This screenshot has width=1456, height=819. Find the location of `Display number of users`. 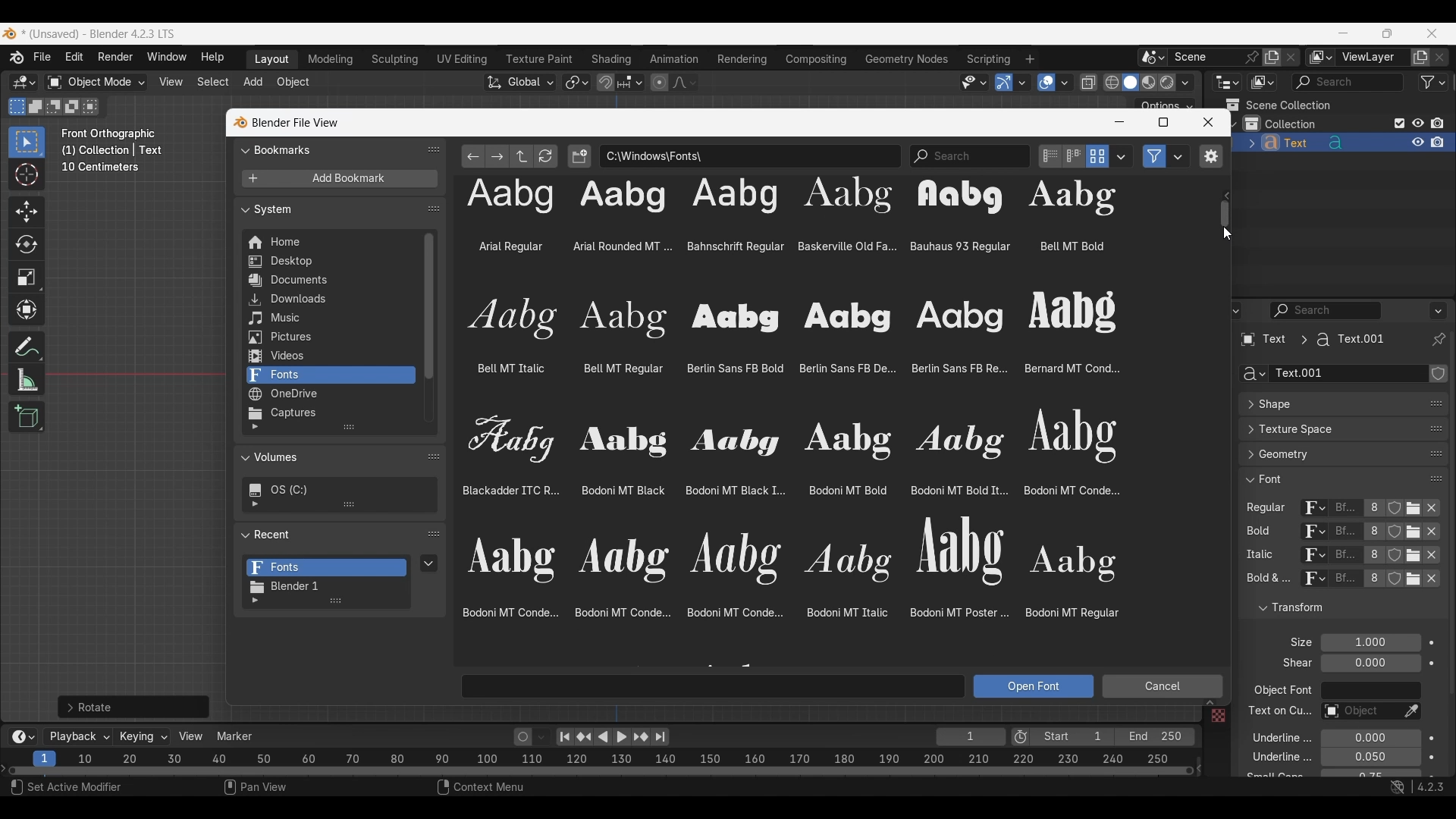

Display number of users is located at coordinates (1373, 582).